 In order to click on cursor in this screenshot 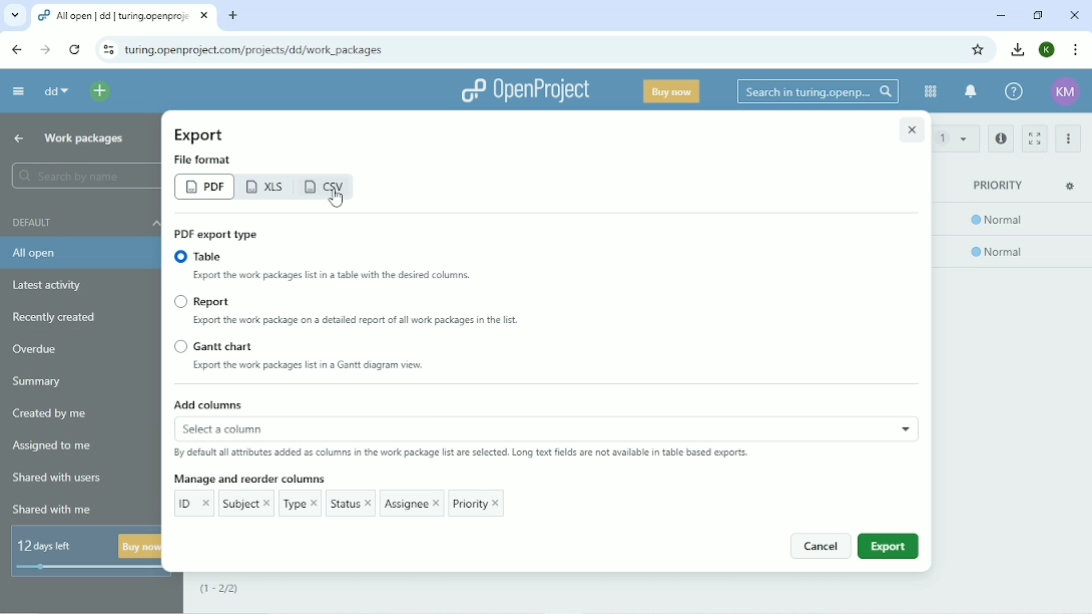, I will do `click(328, 203)`.